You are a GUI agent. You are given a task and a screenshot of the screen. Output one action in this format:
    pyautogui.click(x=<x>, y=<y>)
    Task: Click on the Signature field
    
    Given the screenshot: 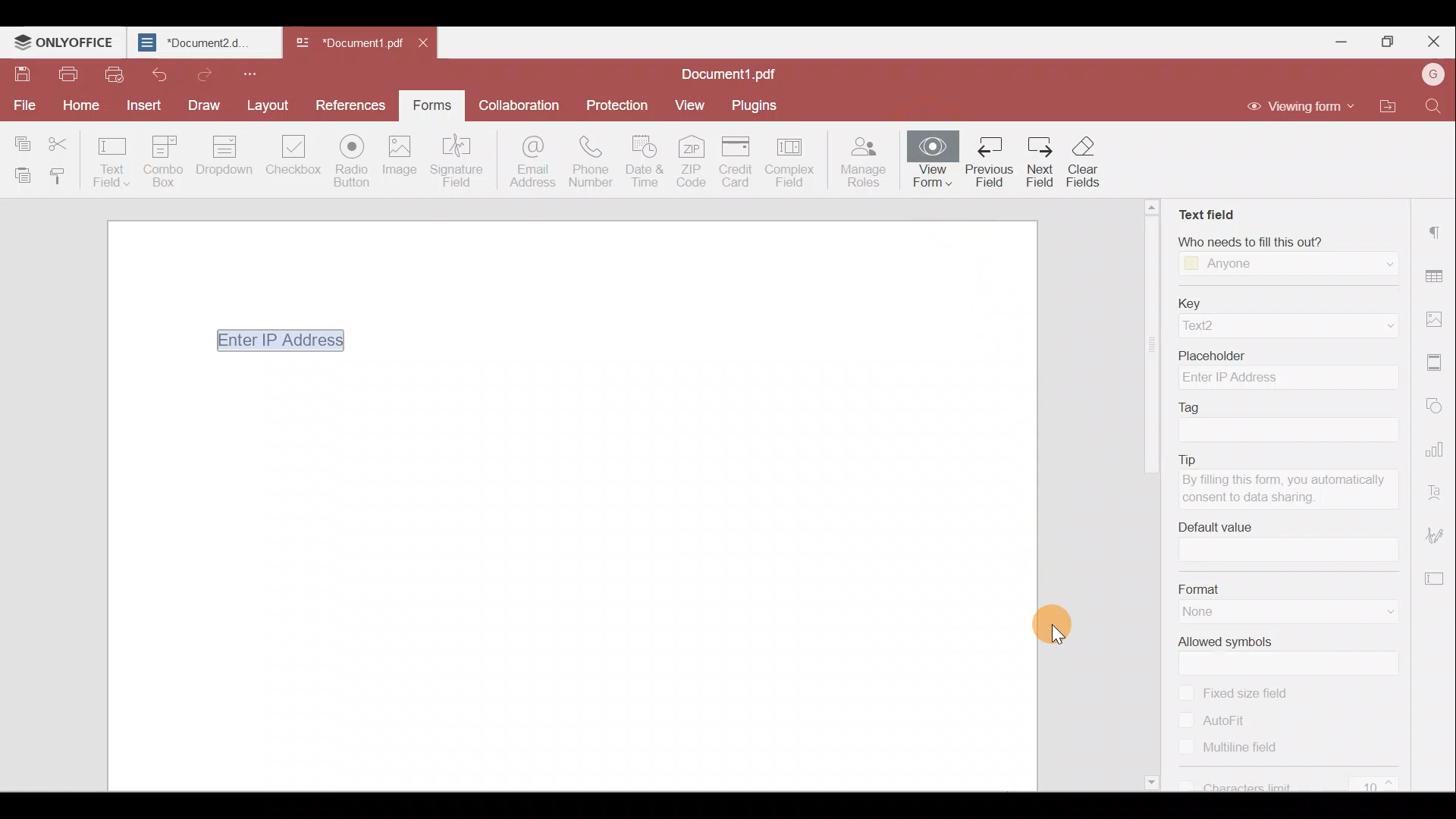 What is the action you would take?
    pyautogui.click(x=460, y=162)
    